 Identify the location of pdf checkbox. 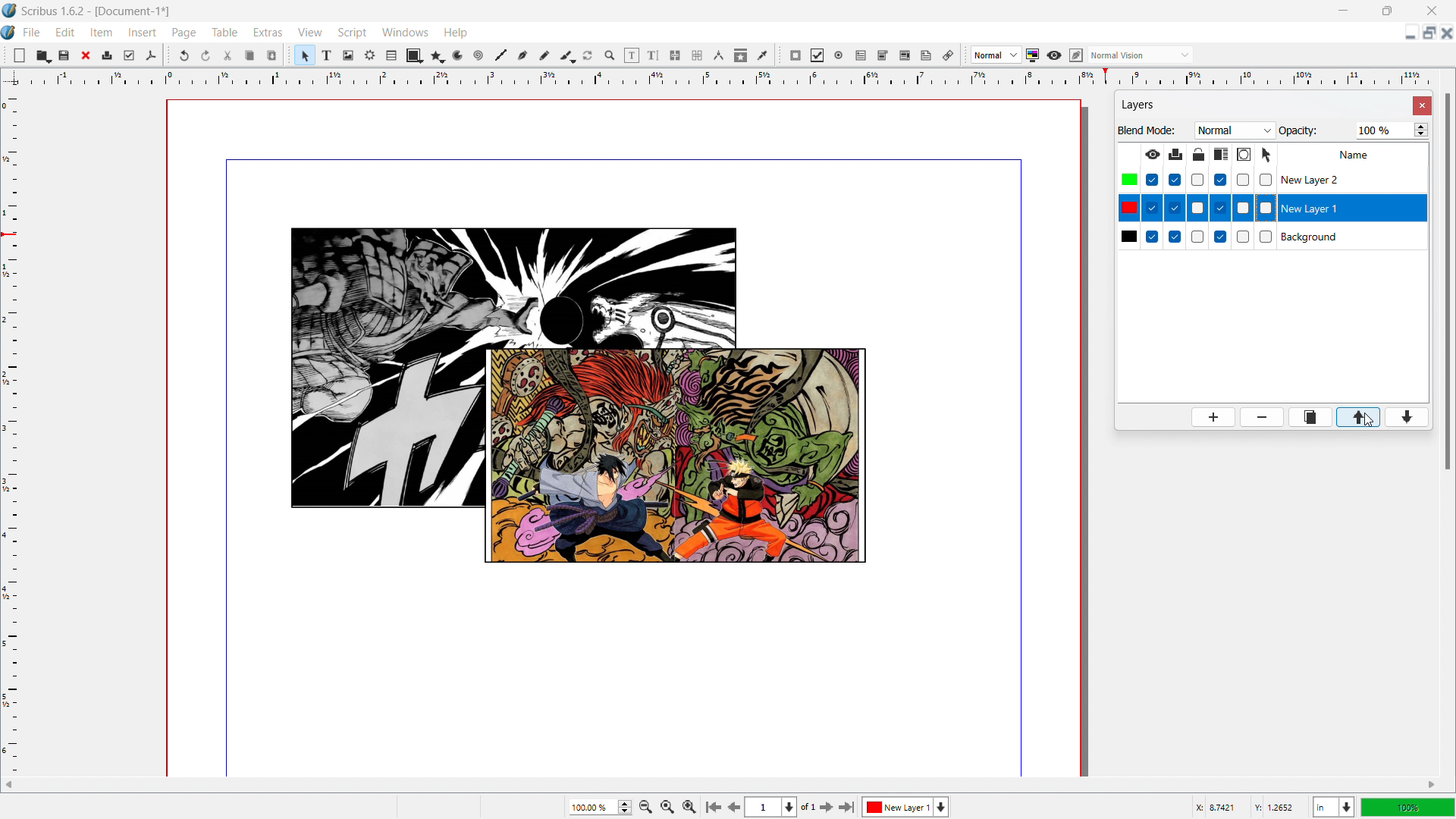
(817, 55).